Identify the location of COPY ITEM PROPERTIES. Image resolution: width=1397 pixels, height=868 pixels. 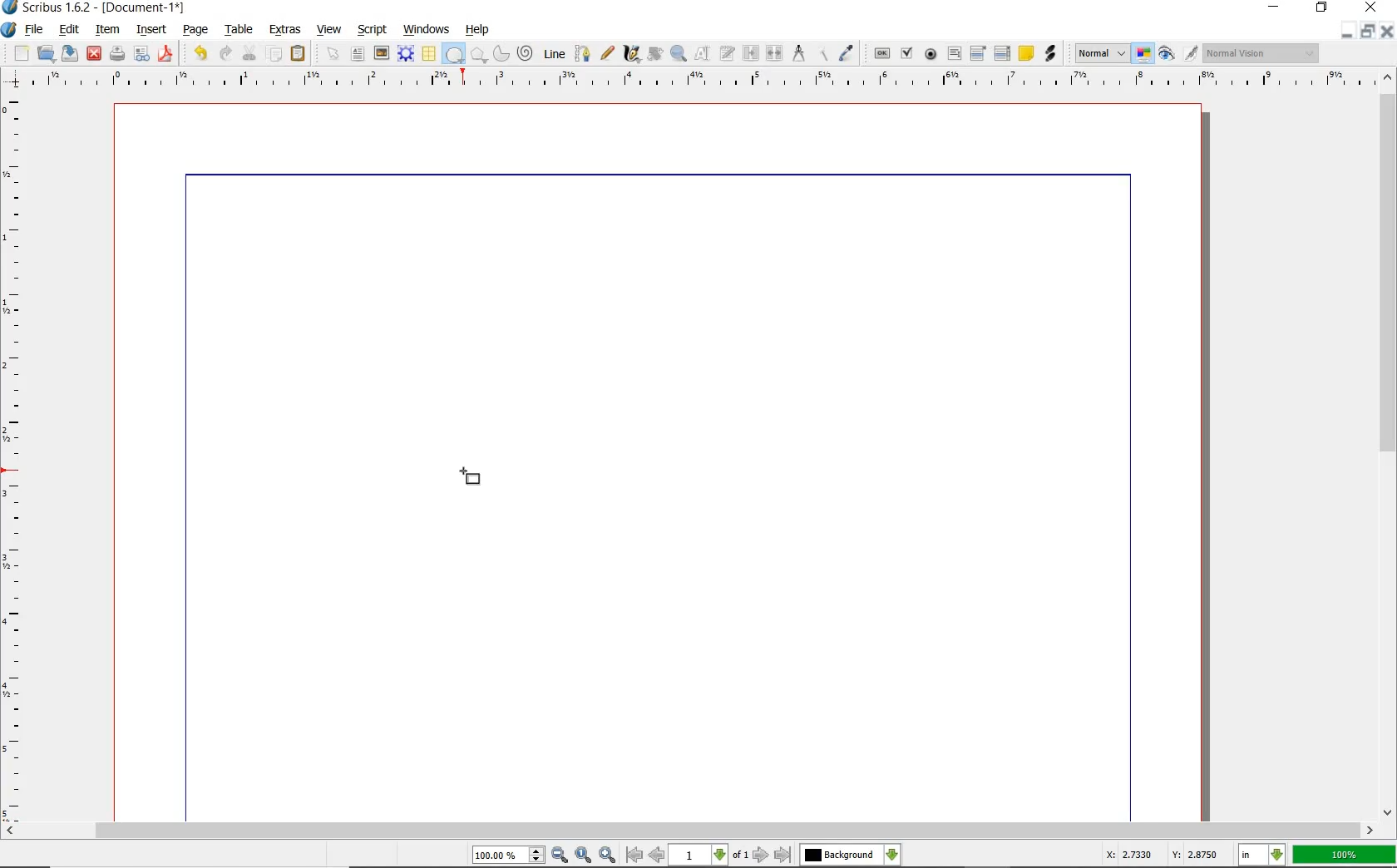
(822, 52).